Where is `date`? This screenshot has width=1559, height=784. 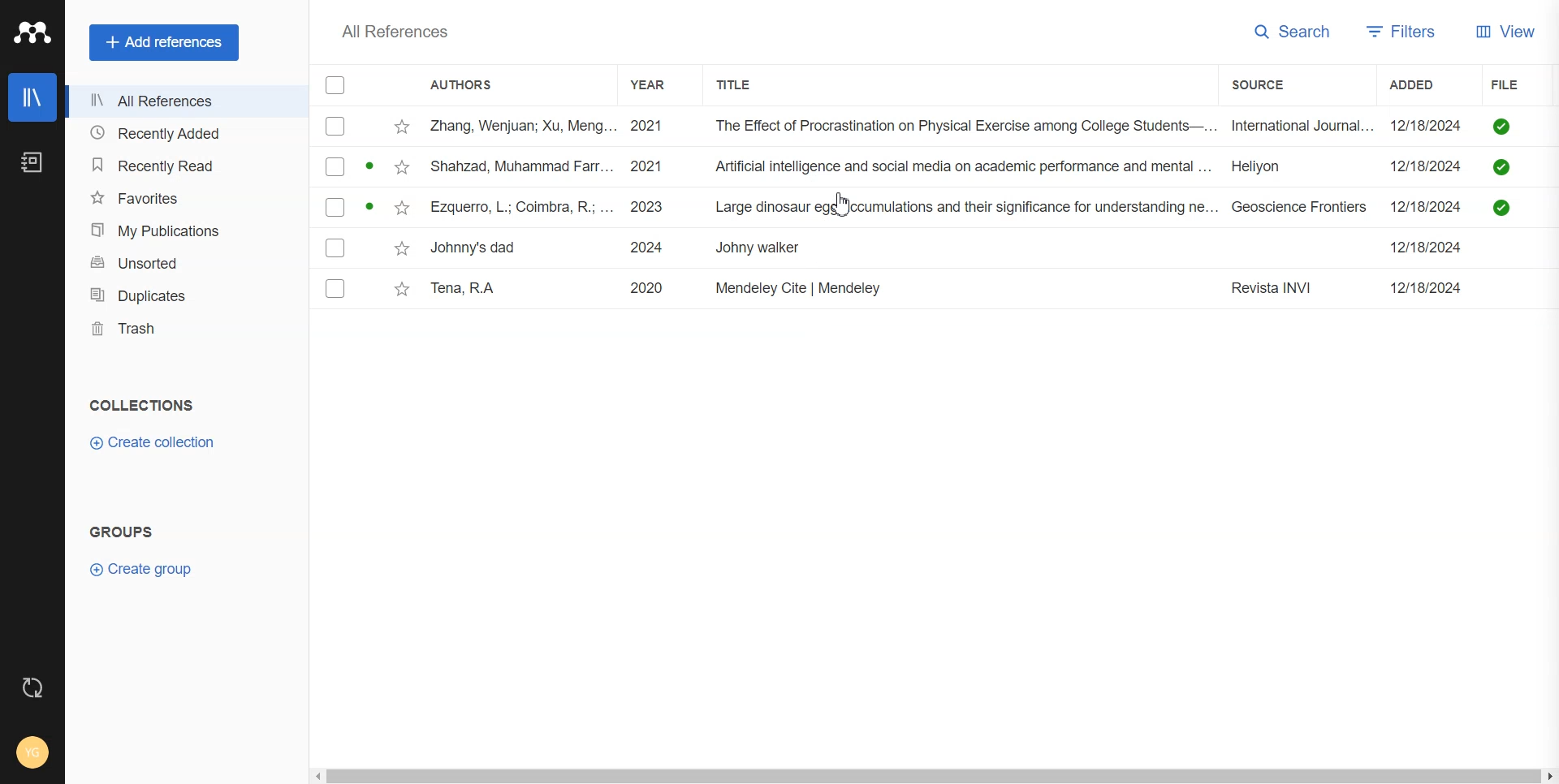
date is located at coordinates (1425, 247).